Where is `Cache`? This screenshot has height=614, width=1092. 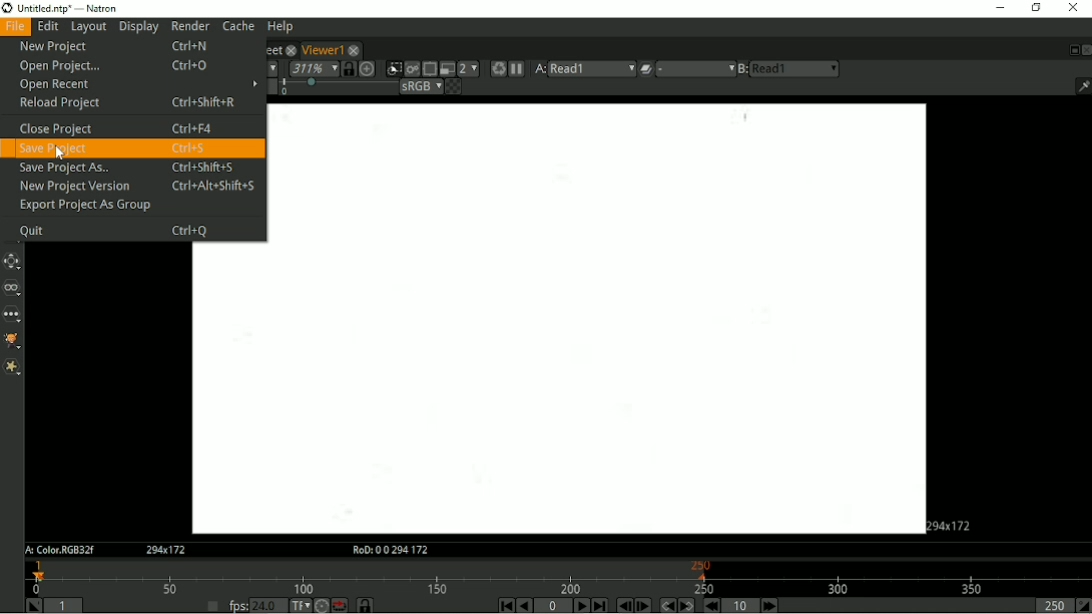 Cache is located at coordinates (239, 26).